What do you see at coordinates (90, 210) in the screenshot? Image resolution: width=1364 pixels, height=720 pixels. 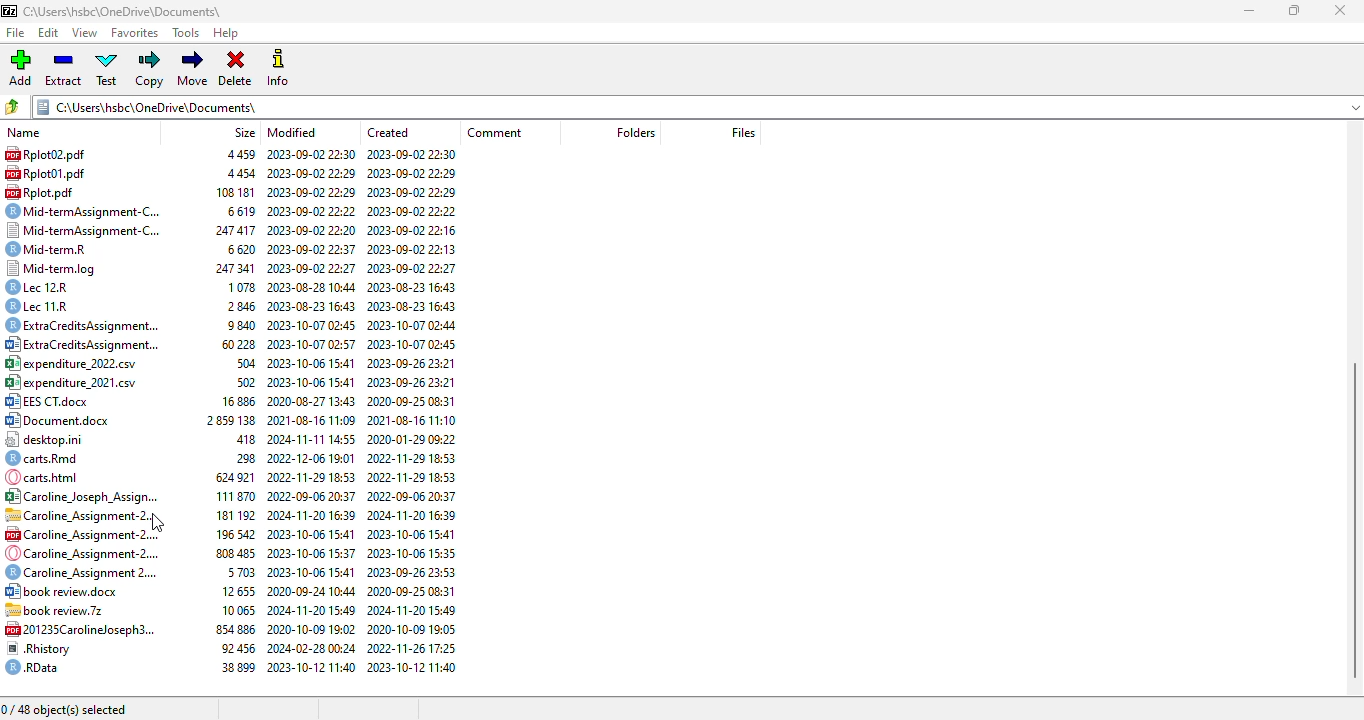 I see `® Mid-termAssignment-C...` at bounding box center [90, 210].